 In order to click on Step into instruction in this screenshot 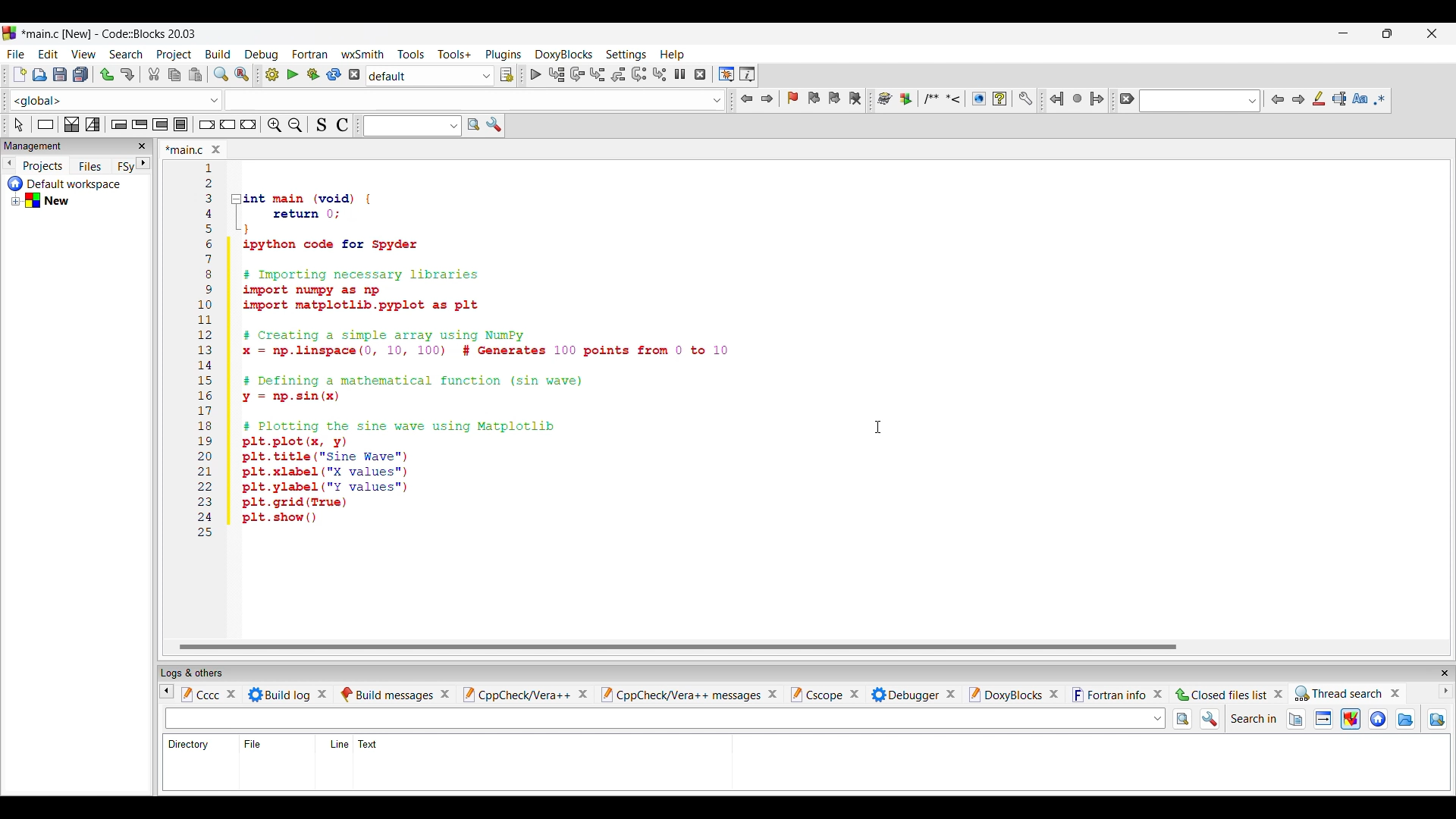, I will do `click(660, 74)`.